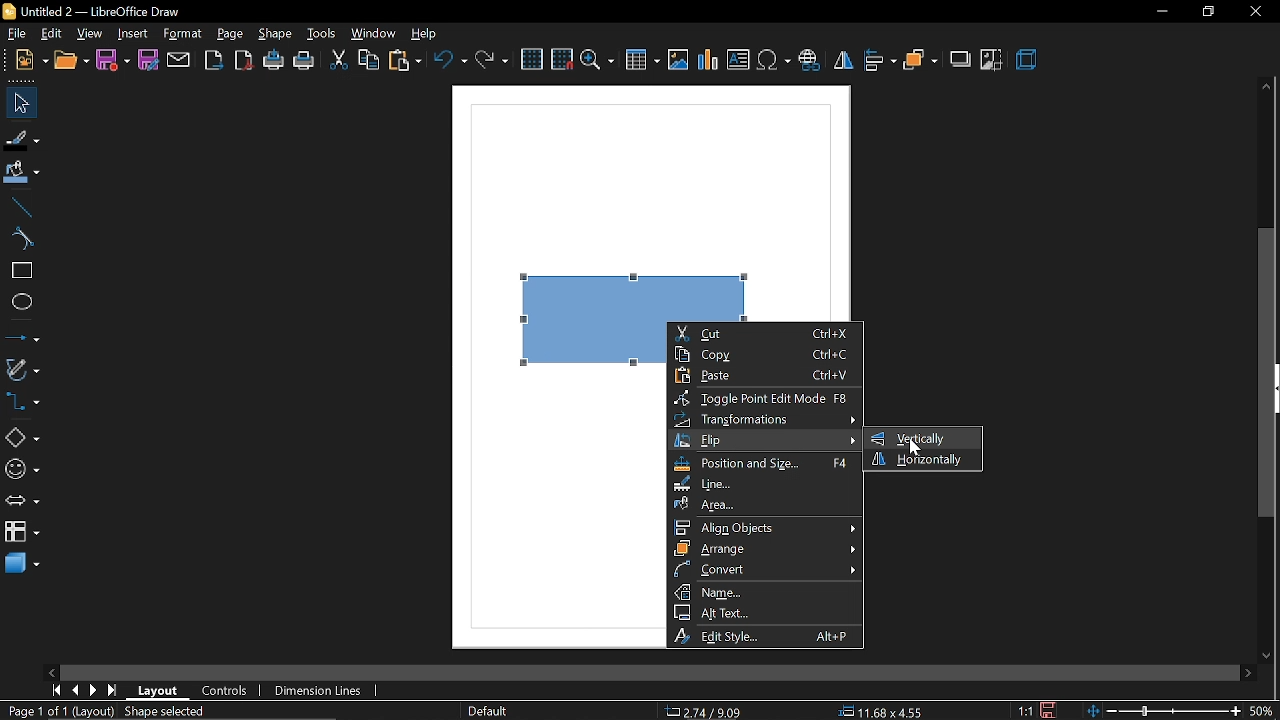  Describe the element at coordinates (917, 438) in the screenshot. I see `vertically` at that location.